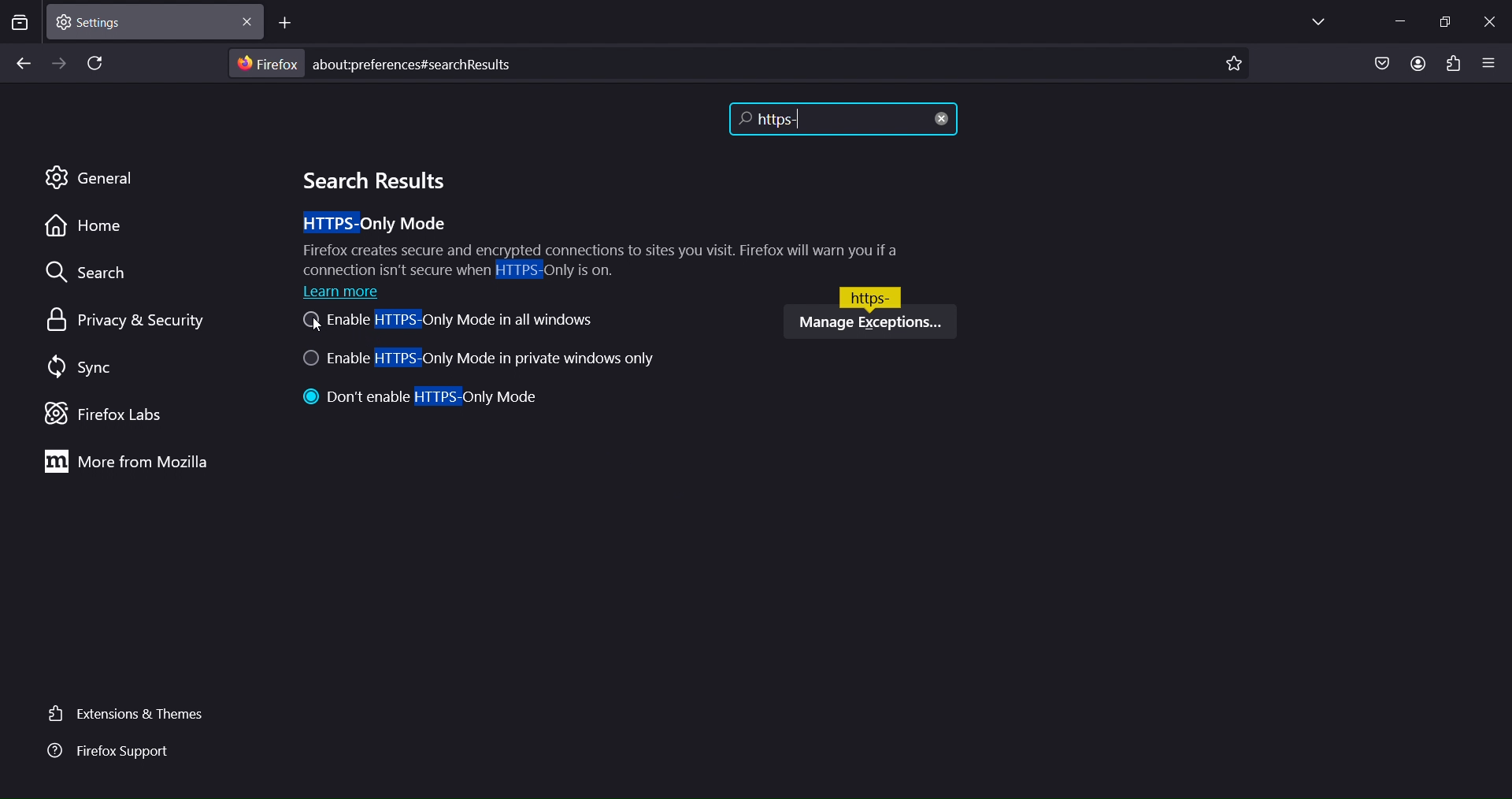  What do you see at coordinates (1447, 22) in the screenshot?
I see `restore down` at bounding box center [1447, 22].